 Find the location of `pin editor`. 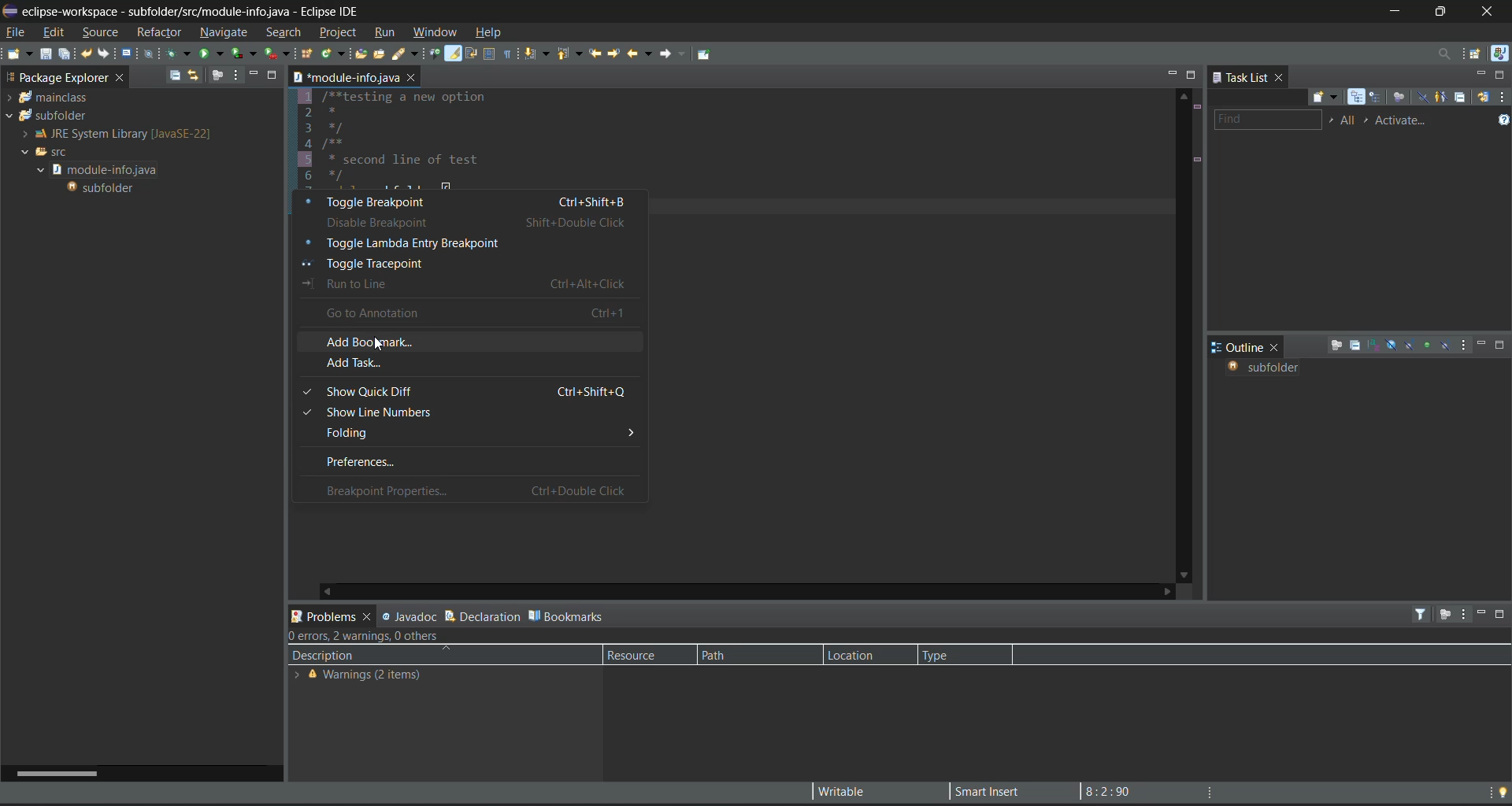

pin editor is located at coordinates (707, 54).